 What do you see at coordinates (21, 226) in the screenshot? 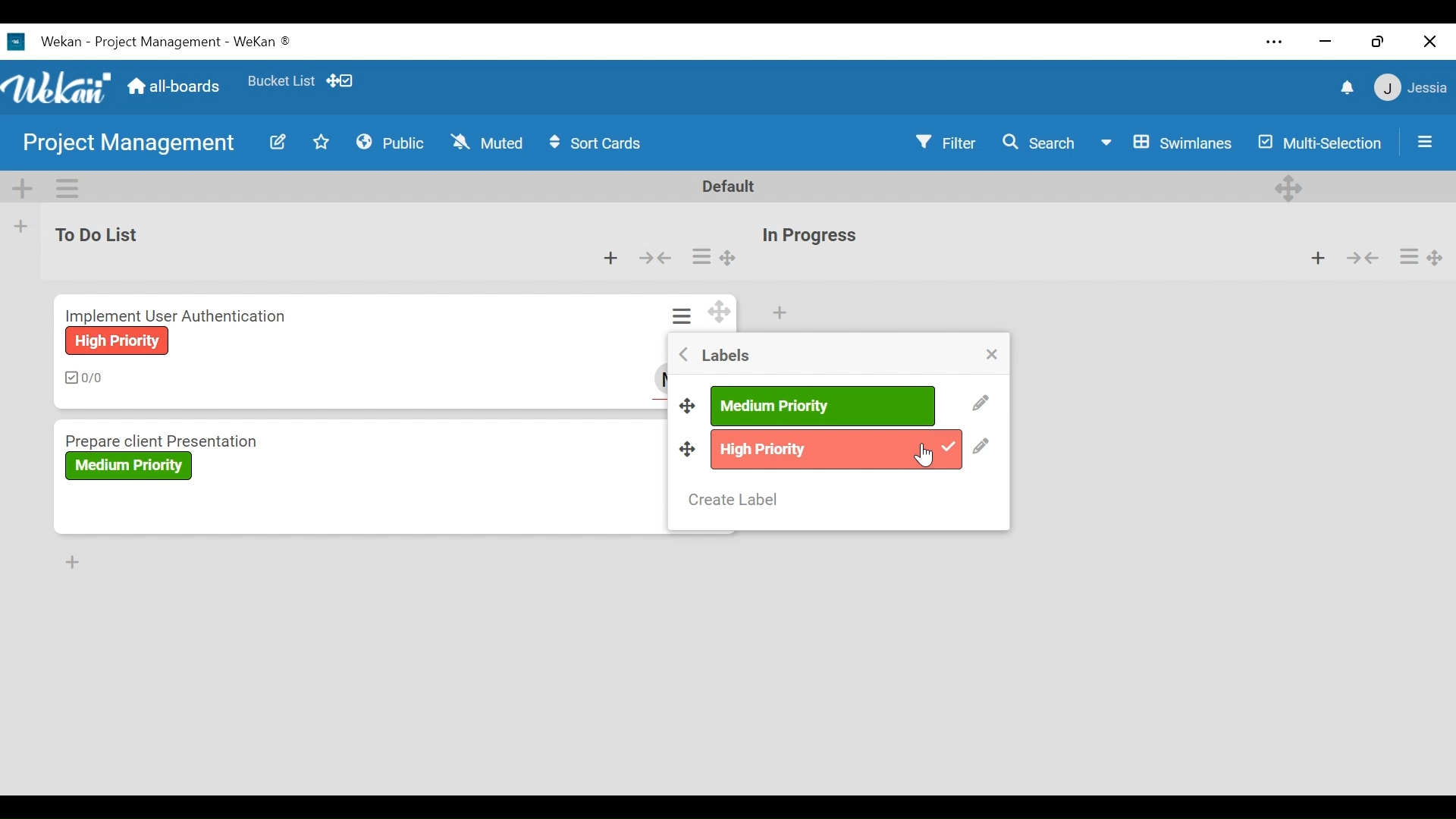
I see `Add list` at bounding box center [21, 226].